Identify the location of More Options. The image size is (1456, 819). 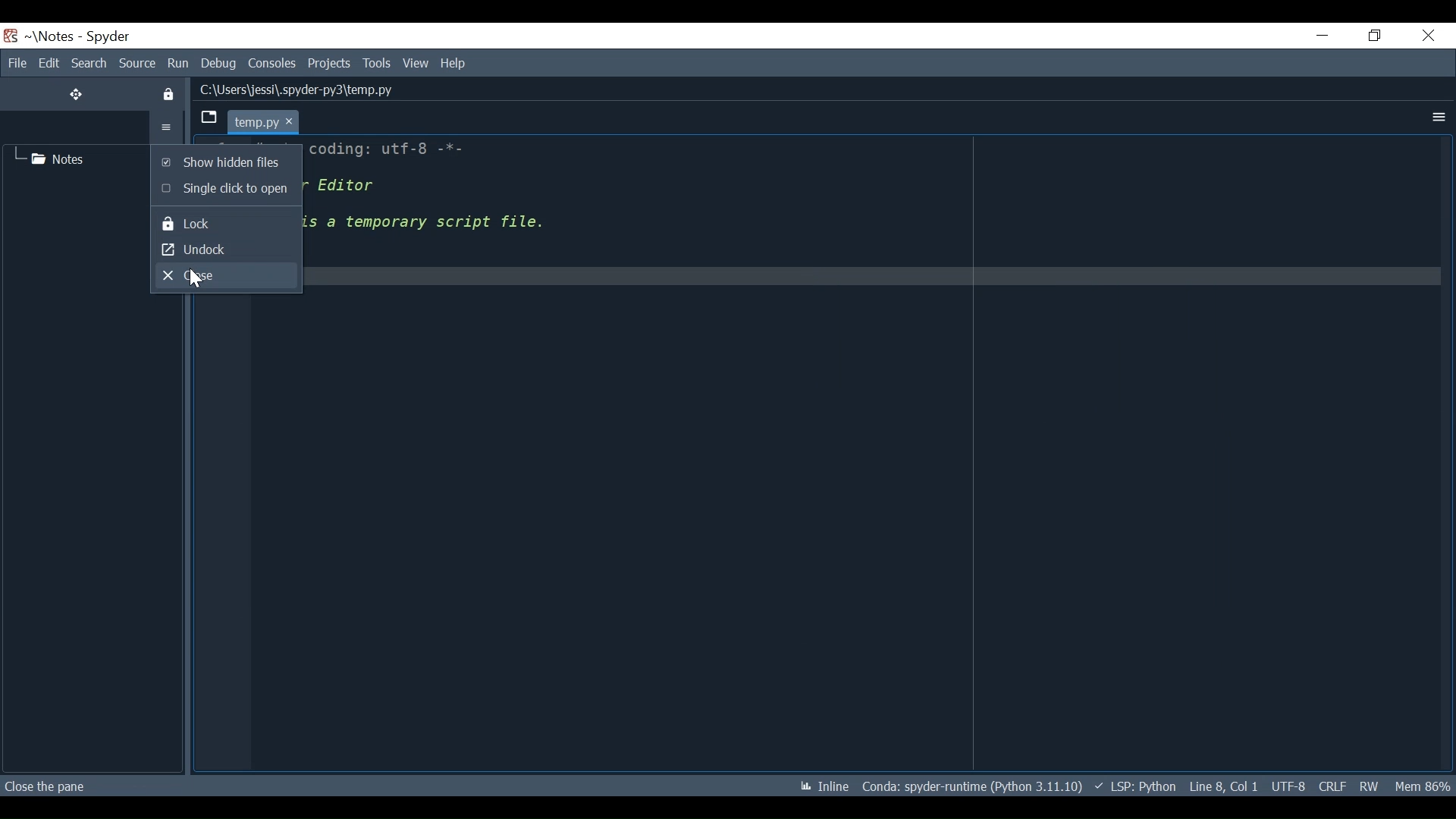
(1437, 118).